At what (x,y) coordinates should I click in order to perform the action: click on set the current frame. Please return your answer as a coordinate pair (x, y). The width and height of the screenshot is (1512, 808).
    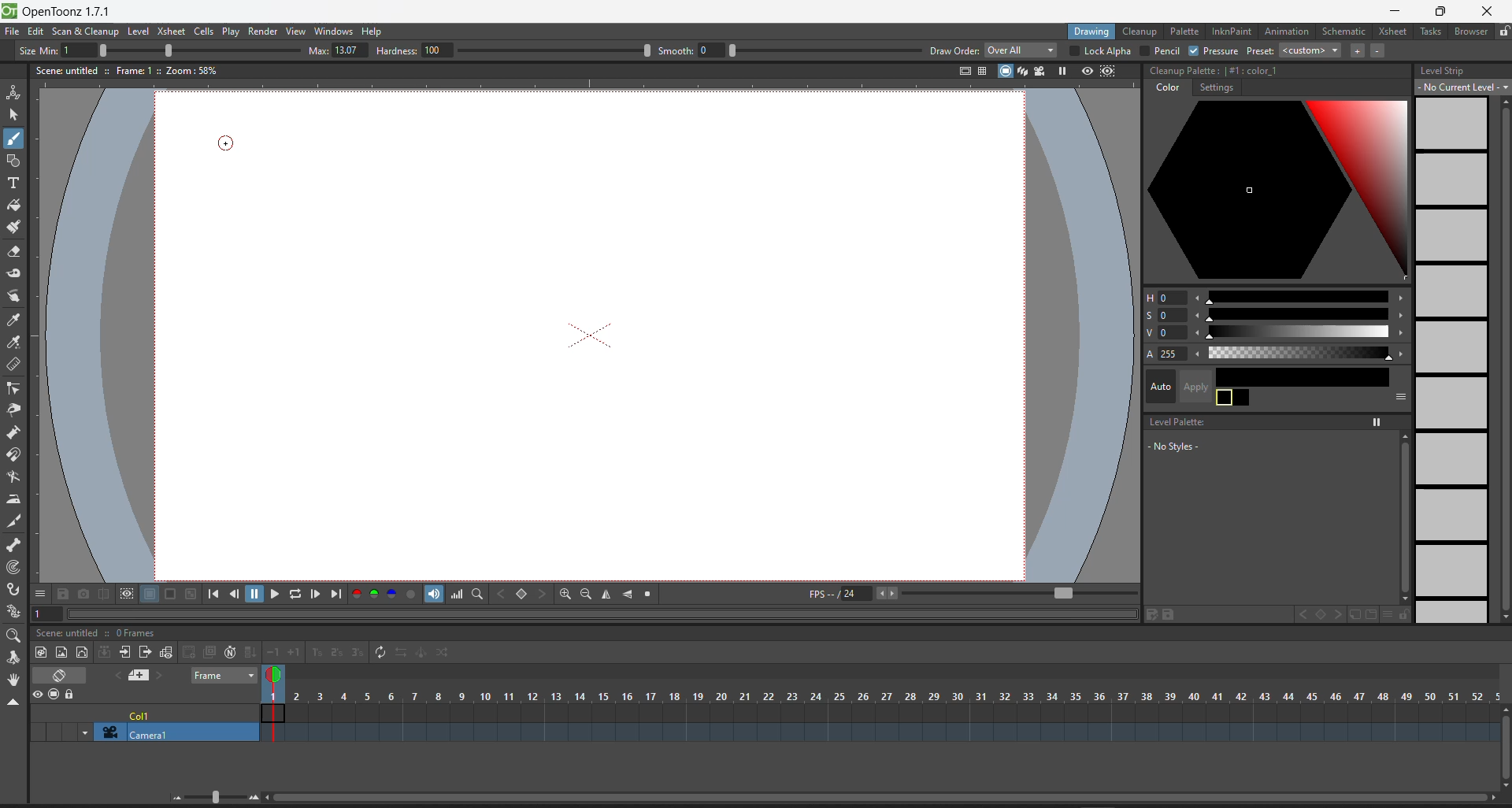
    Looking at the image, I should click on (49, 613).